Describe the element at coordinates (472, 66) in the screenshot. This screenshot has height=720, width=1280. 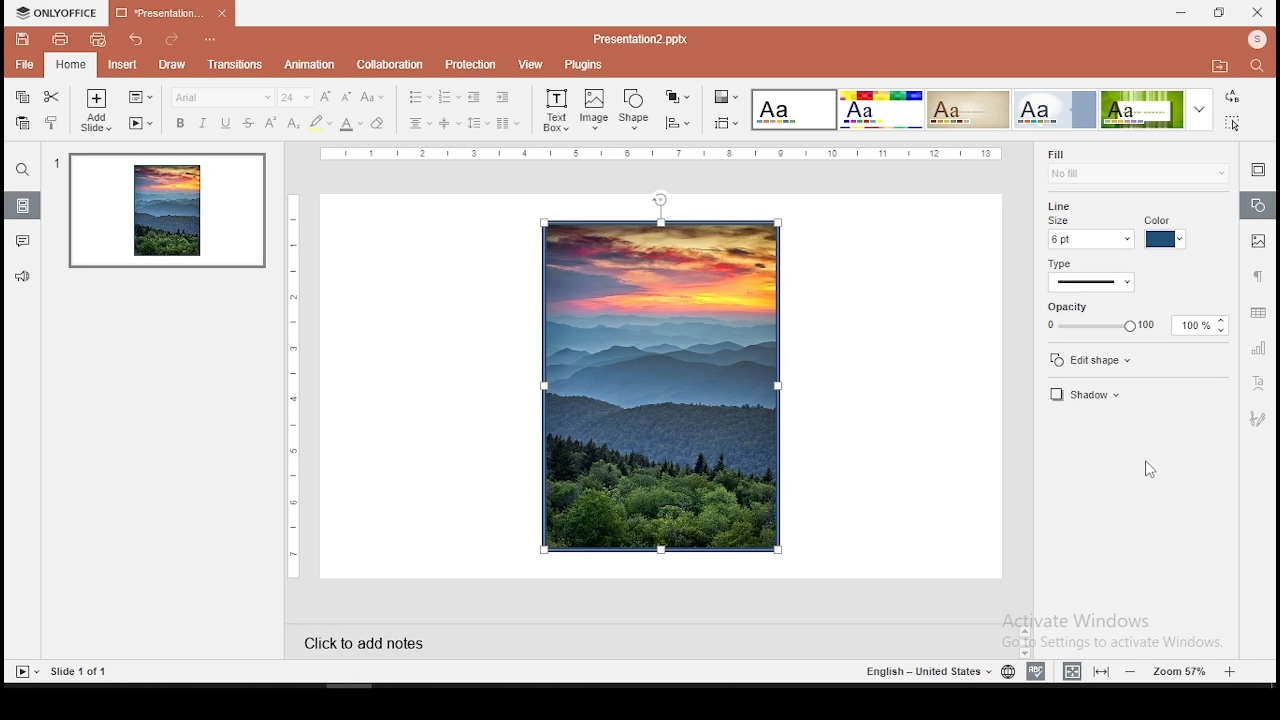
I see `protection` at that location.